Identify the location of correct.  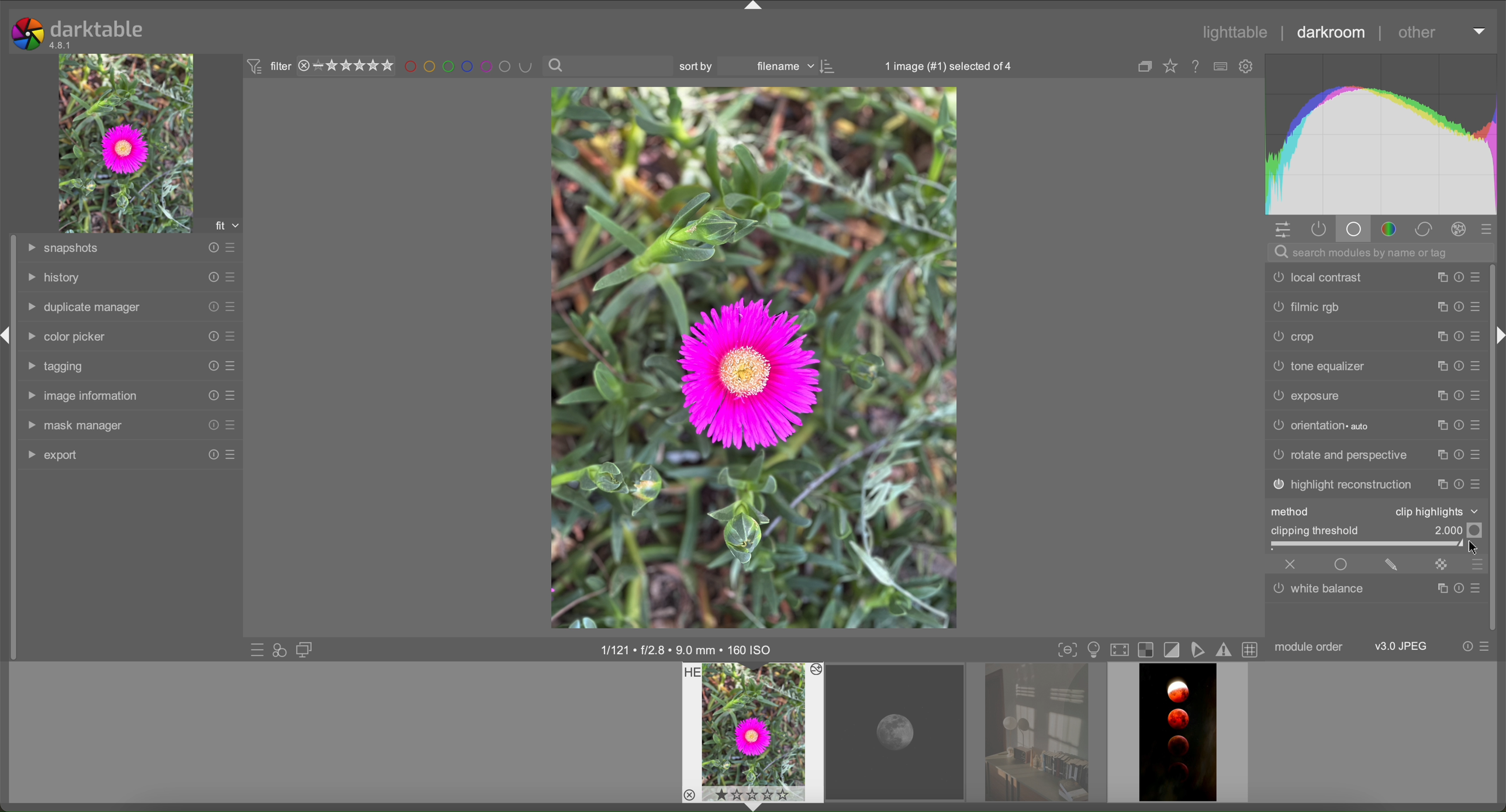
(1424, 229).